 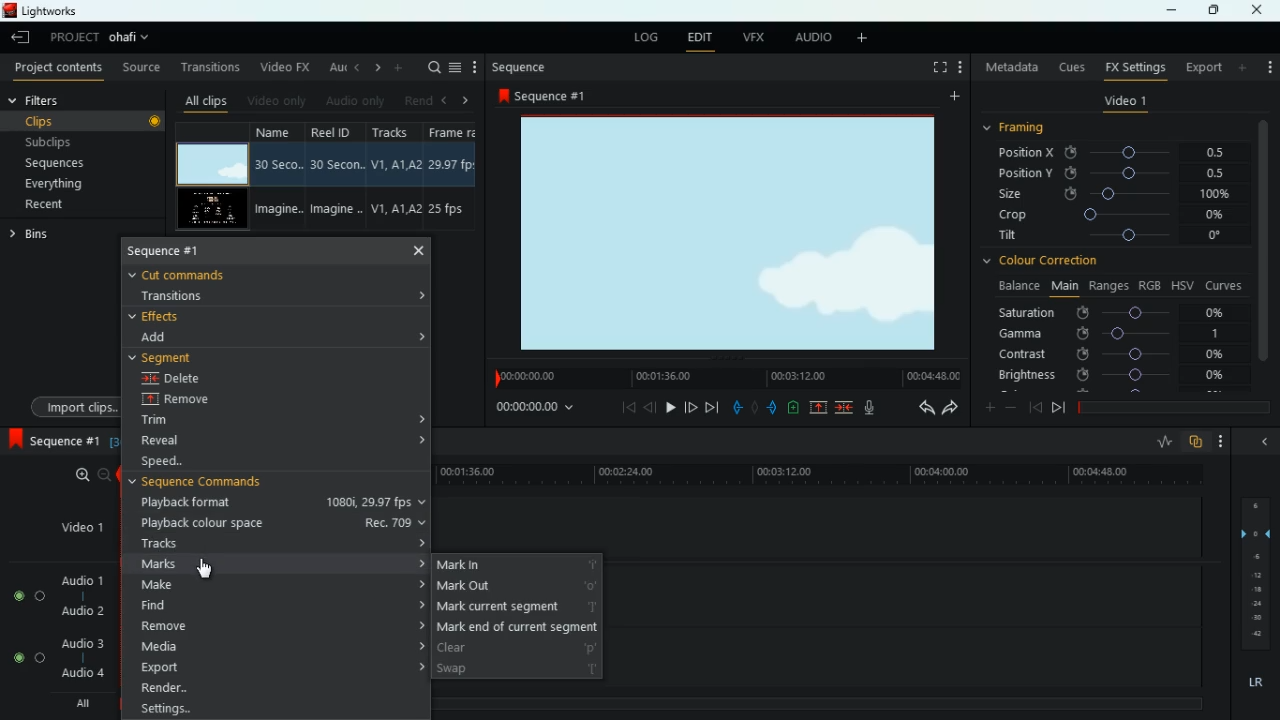 I want to click on rend, so click(x=414, y=100).